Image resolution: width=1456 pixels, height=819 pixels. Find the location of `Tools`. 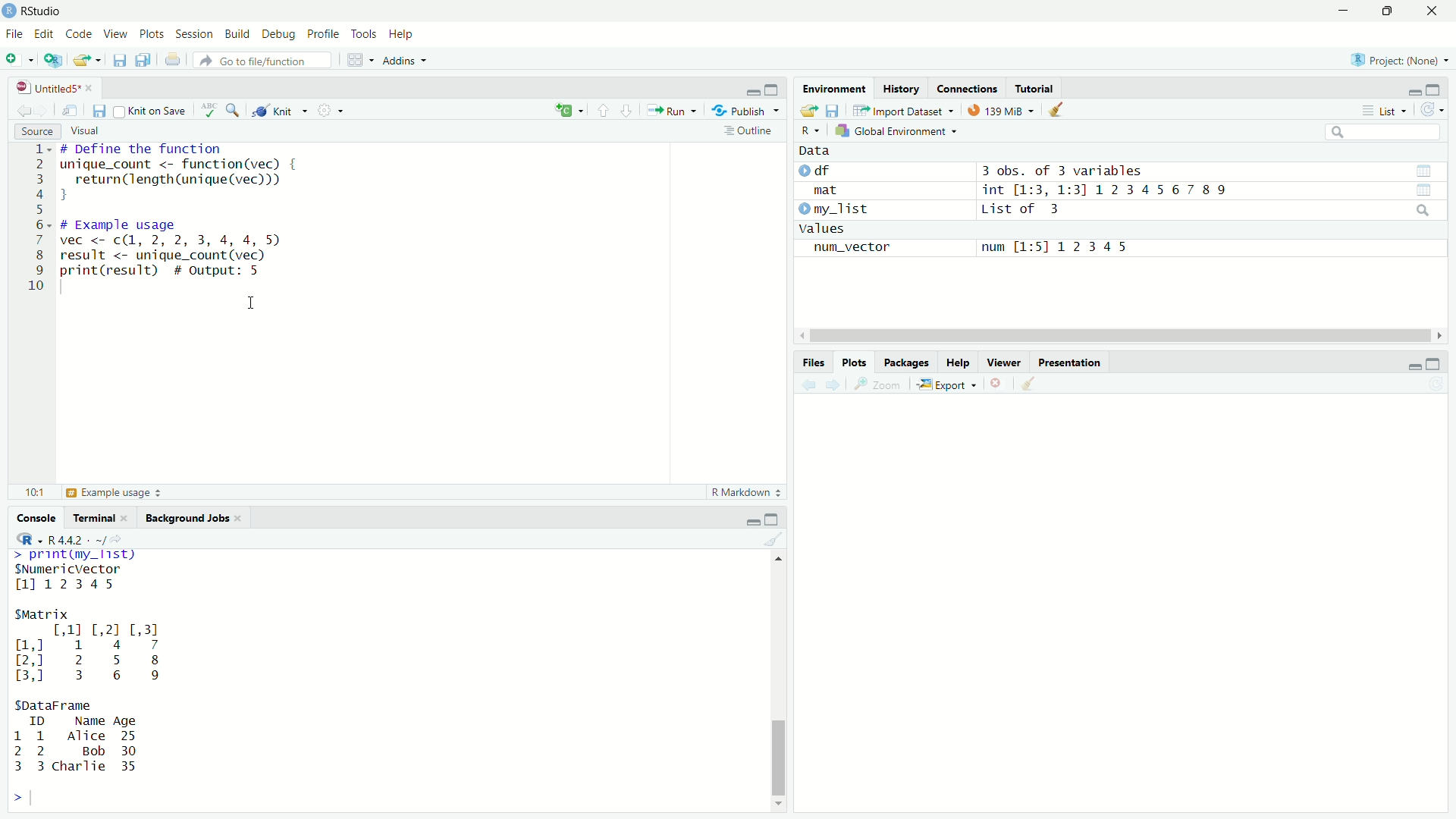

Tools is located at coordinates (366, 33).